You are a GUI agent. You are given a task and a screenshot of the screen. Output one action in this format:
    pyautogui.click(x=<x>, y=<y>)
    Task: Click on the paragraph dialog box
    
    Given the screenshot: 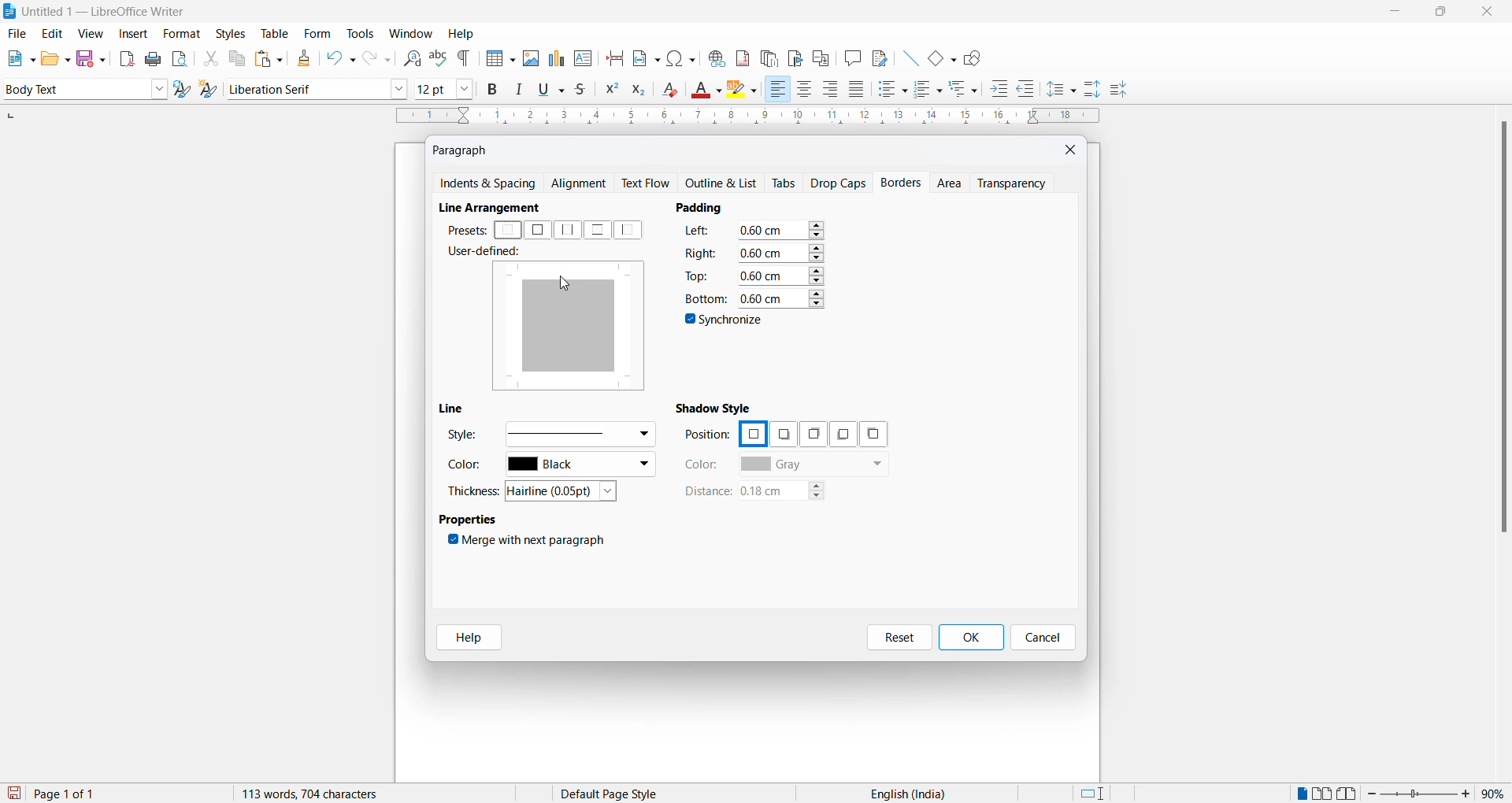 What is the action you would take?
    pyautogui.click(x=464, y=150)
    